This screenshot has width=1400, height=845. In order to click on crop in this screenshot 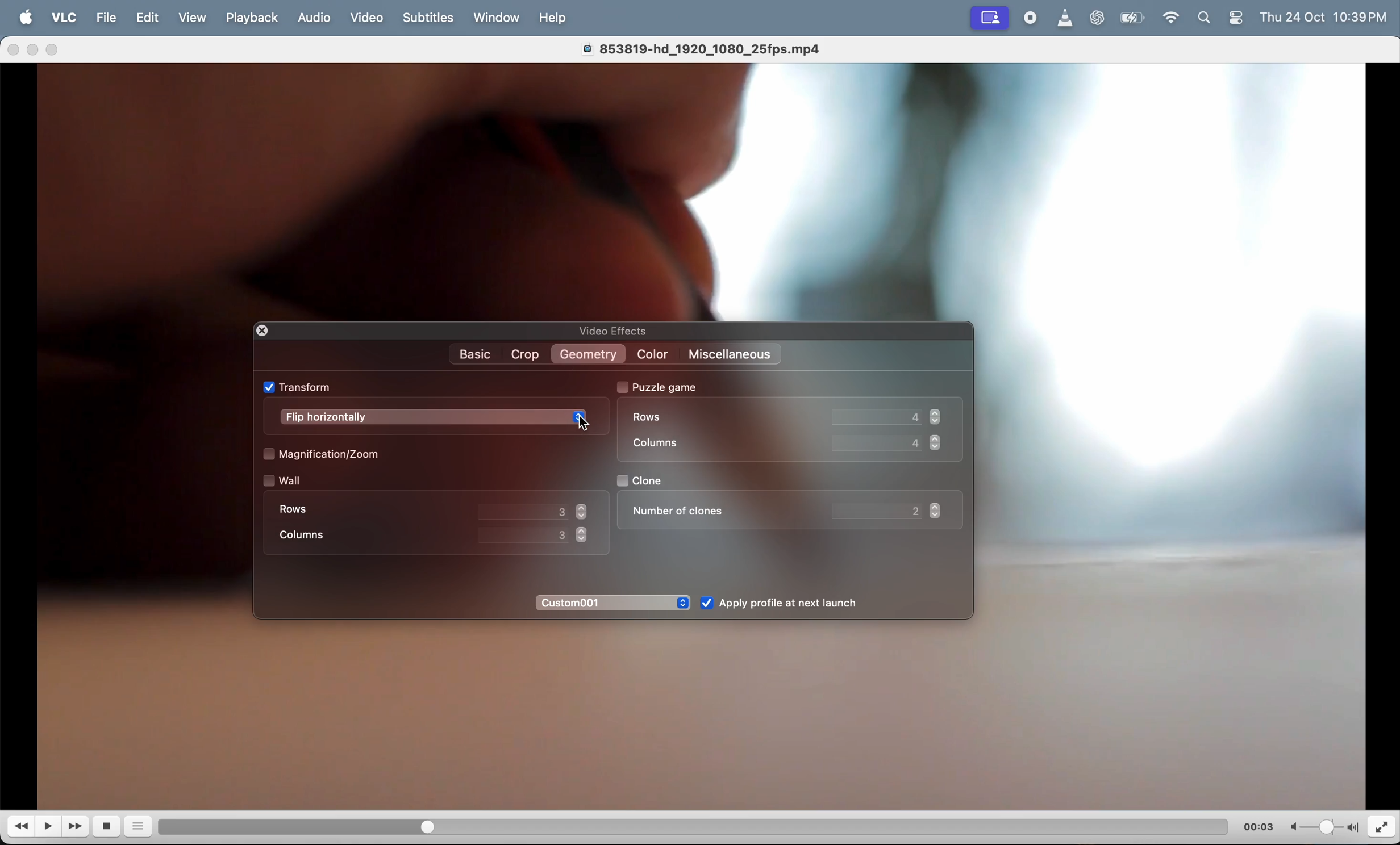, I will do `click(524, 355)`.